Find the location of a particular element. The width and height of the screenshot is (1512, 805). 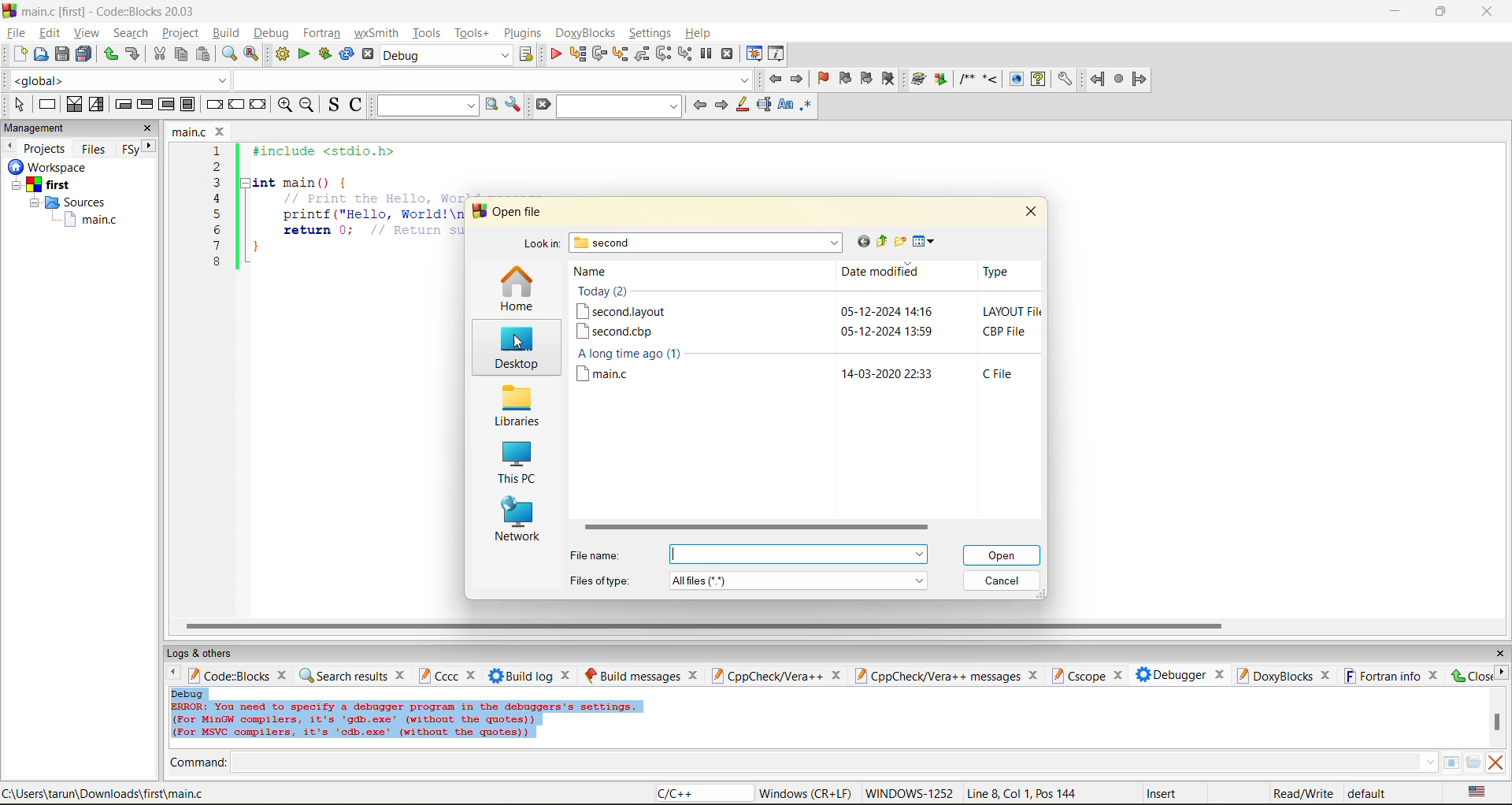

jump forward is located at coordinates (799, 78).